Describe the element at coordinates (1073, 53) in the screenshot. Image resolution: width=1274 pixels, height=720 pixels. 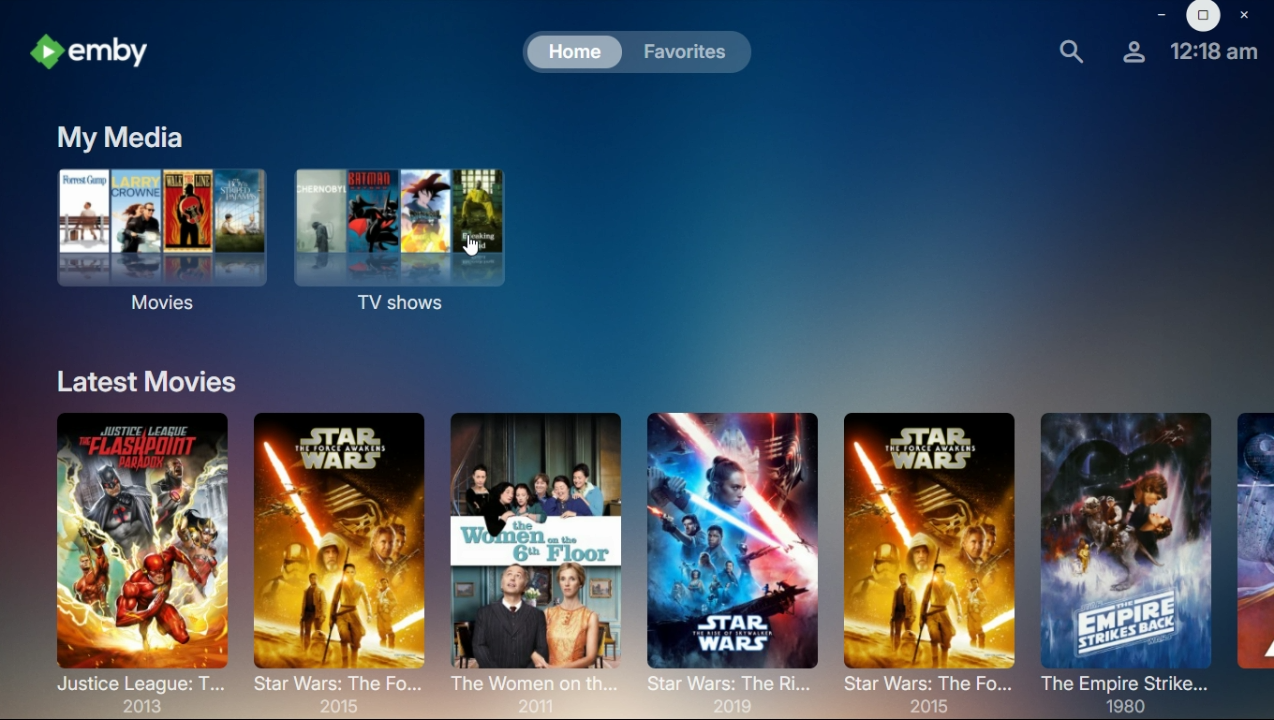
I see `search` at that location.